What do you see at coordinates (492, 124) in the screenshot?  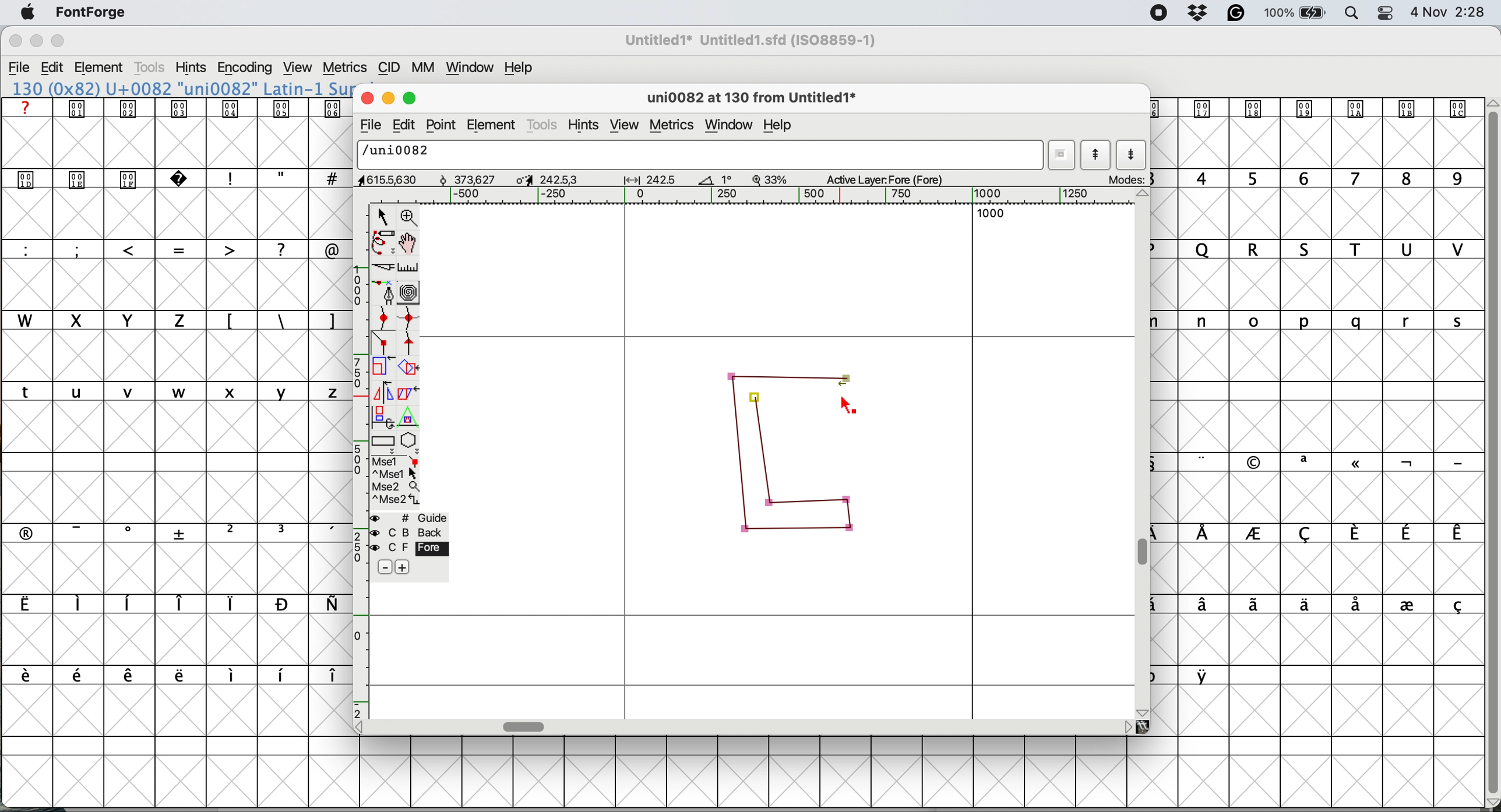 I see `element` at bounding box center [492, 124].